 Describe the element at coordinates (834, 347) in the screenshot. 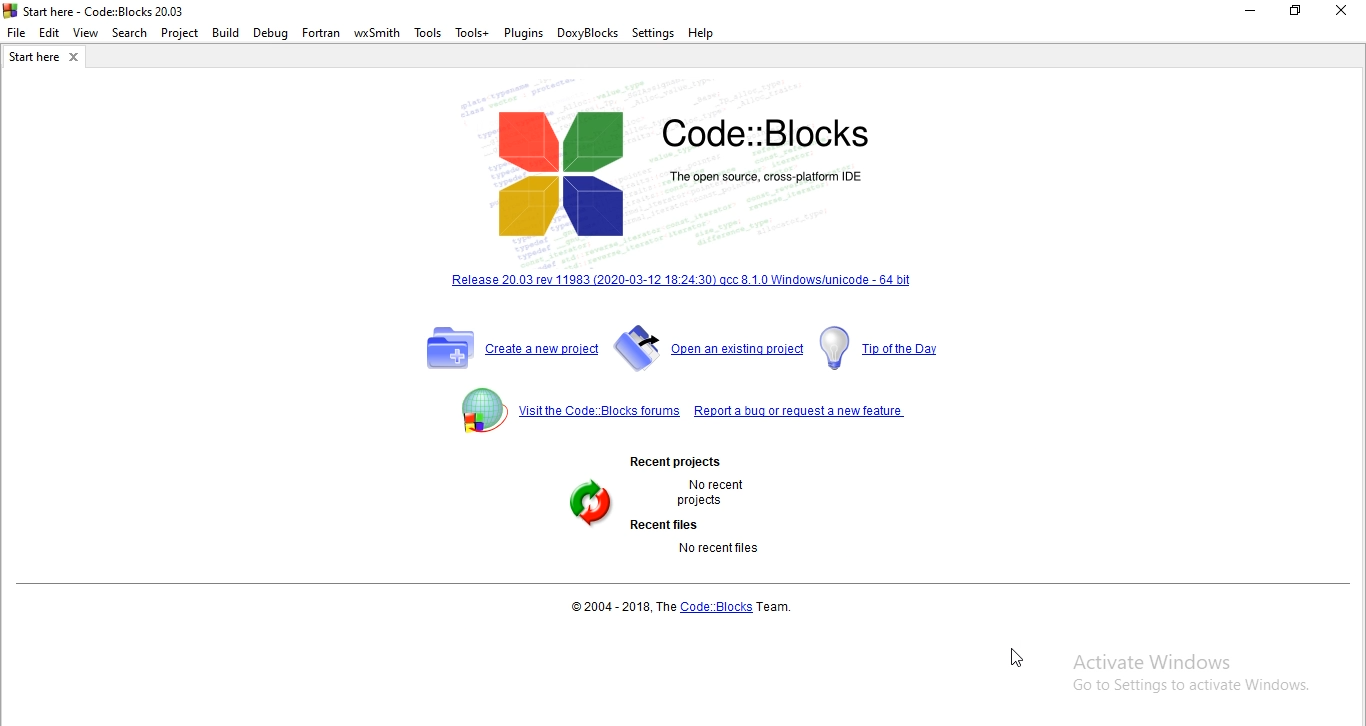

I see `logo` at that location.